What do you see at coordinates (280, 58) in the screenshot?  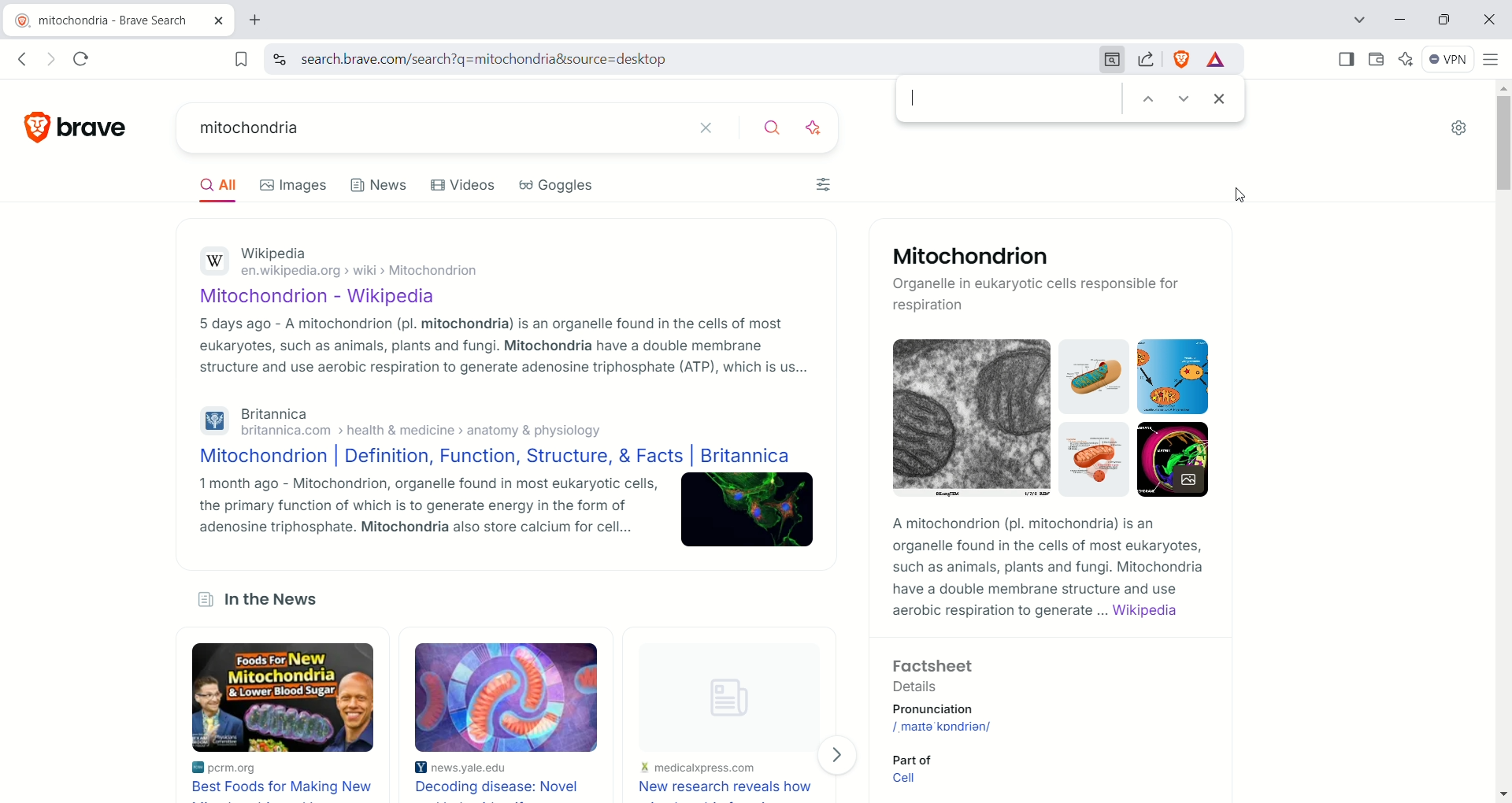 I see `view site information` at bounding box center [280, 58].